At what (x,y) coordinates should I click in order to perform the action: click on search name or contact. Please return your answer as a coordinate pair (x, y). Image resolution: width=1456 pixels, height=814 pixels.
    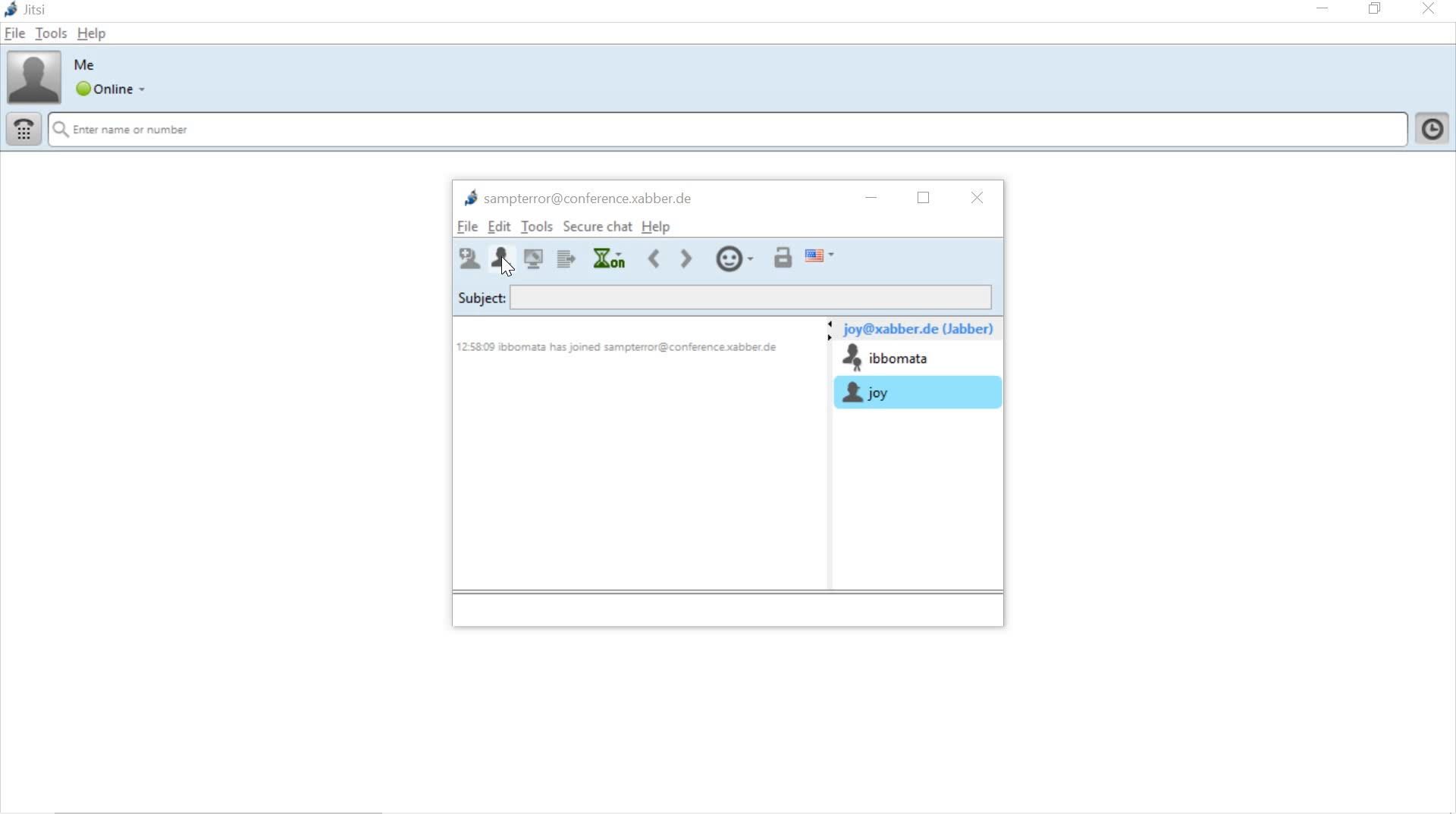
    Looking at the image, I should click on (727, 130).